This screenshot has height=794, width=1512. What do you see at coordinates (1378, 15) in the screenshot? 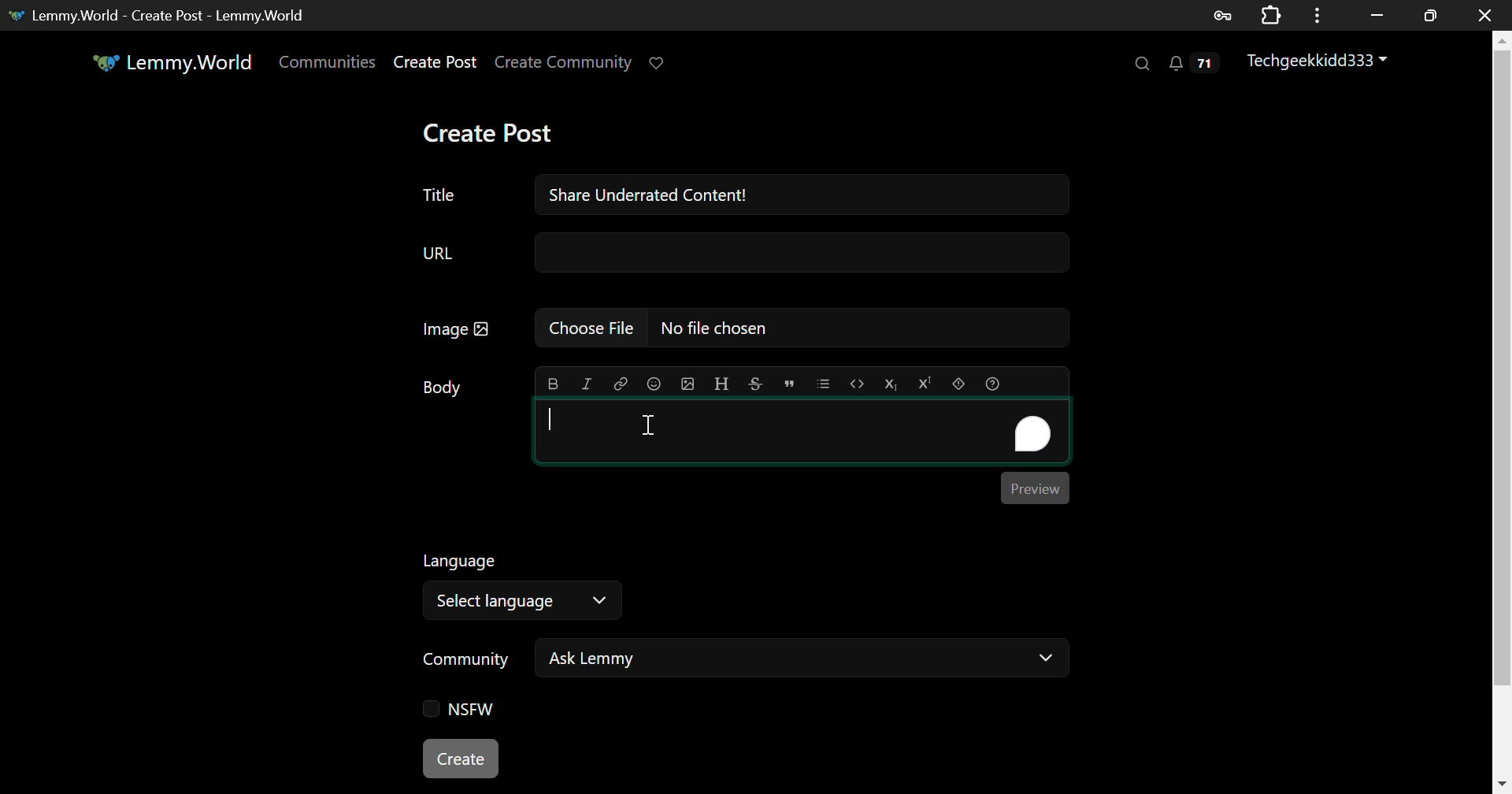
I see `Restore Down` at bounding box center [1378, 15].